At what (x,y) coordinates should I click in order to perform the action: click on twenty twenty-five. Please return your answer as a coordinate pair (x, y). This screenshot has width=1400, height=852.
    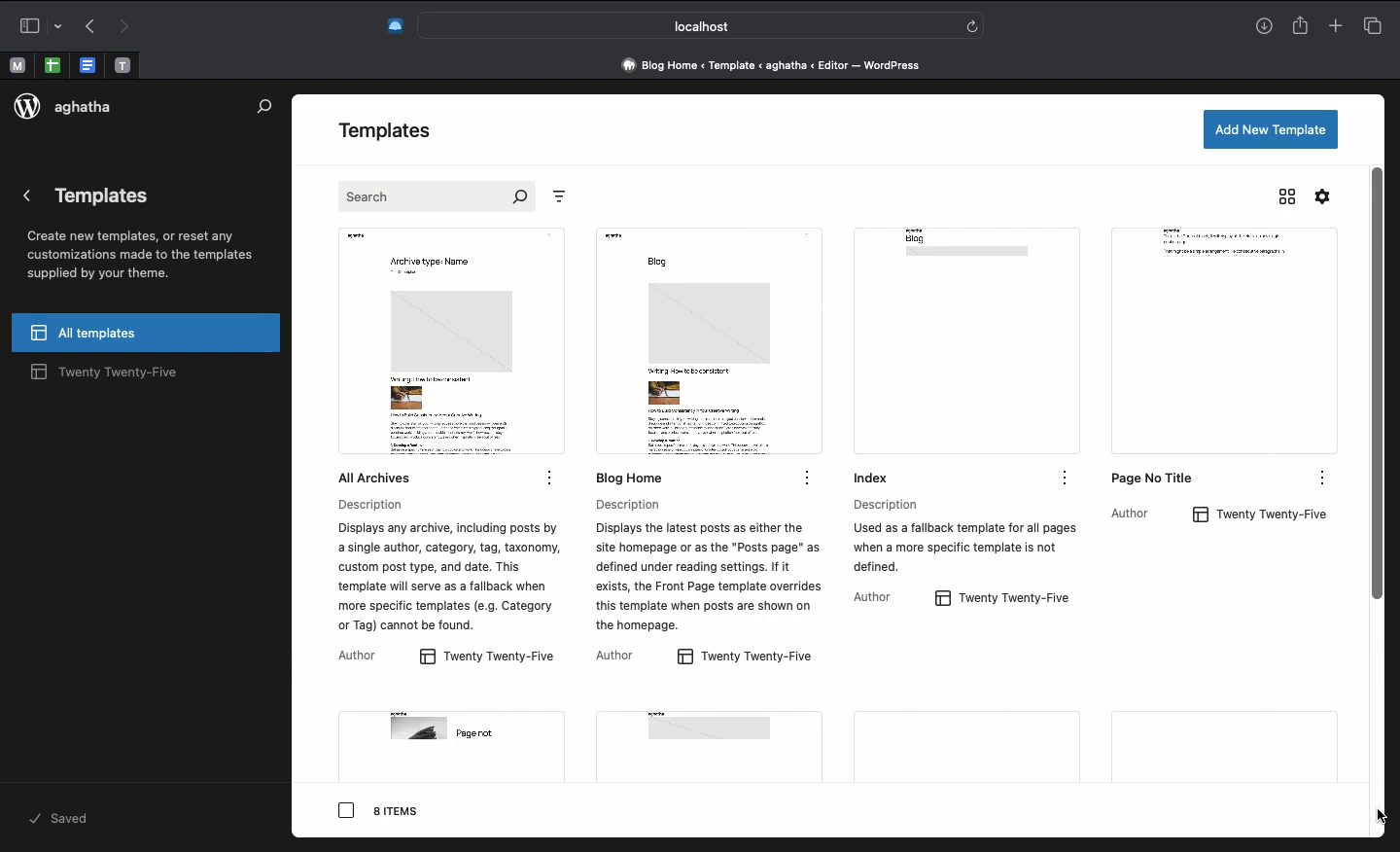
    Looking at the image, I should click on (1005, 599).